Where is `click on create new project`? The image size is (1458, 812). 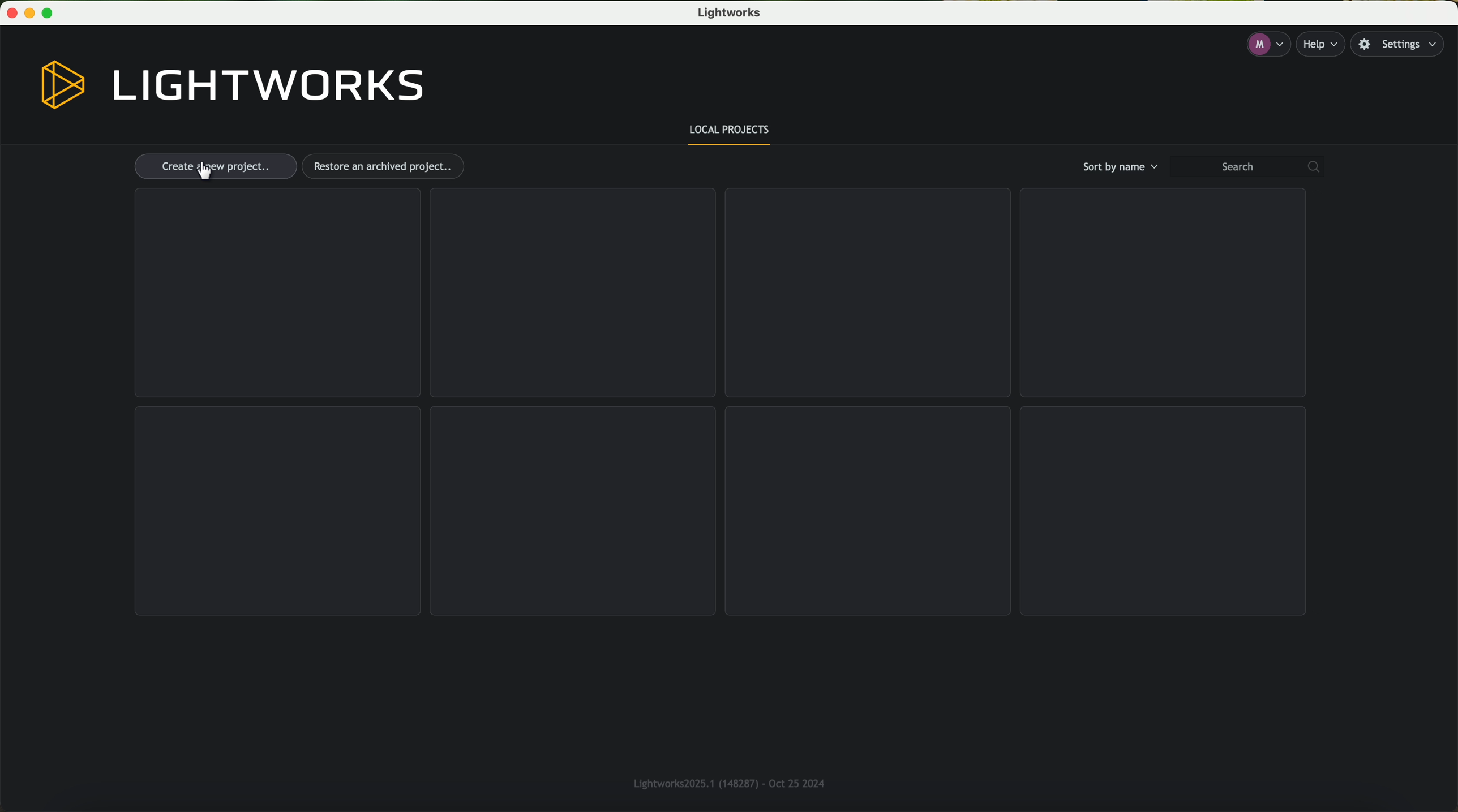
click on create new project is located at coordinates (215, 167).